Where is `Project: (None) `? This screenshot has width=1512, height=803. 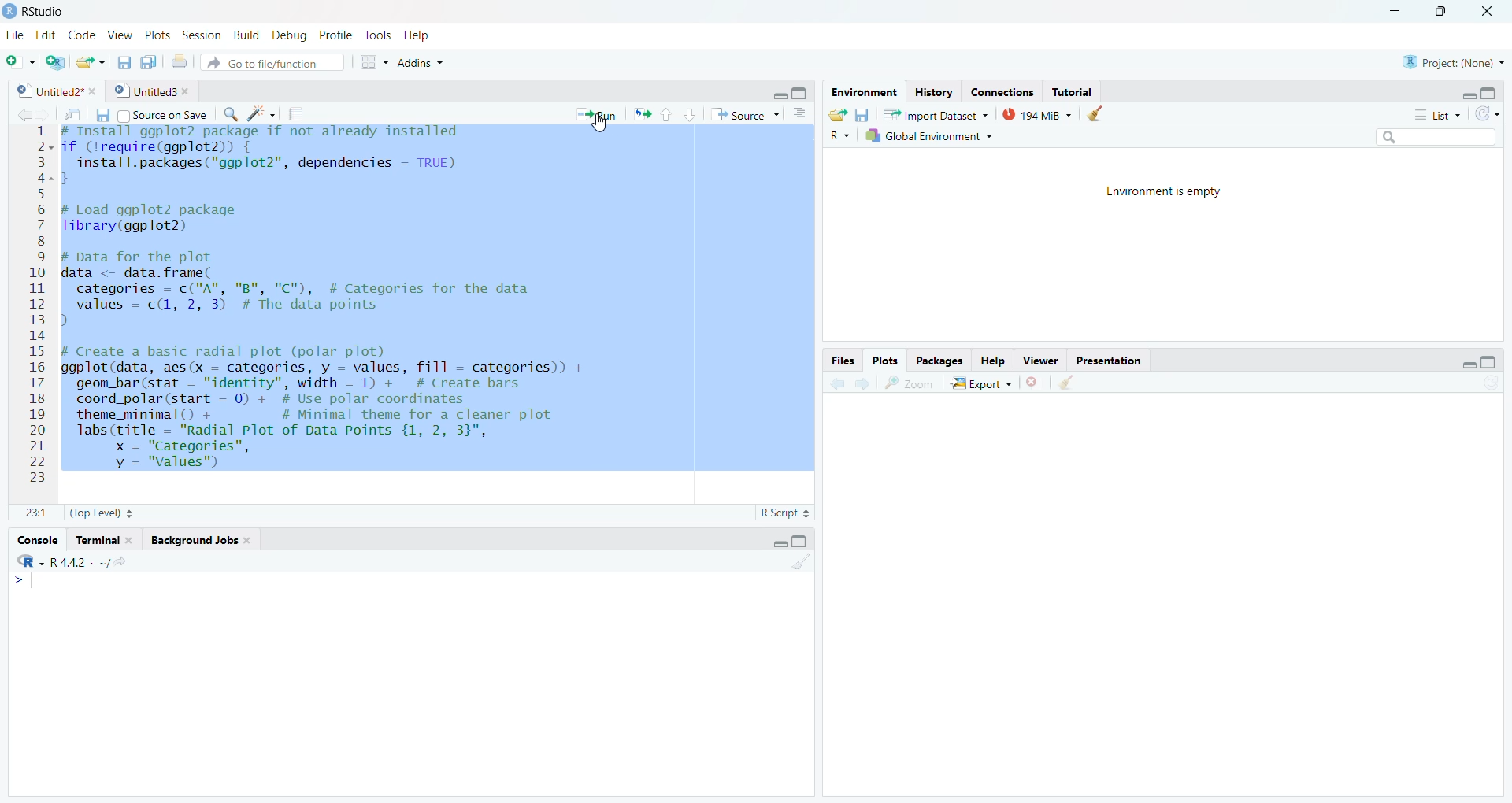
Project: (None)  is located at coordinates (1455, 61).